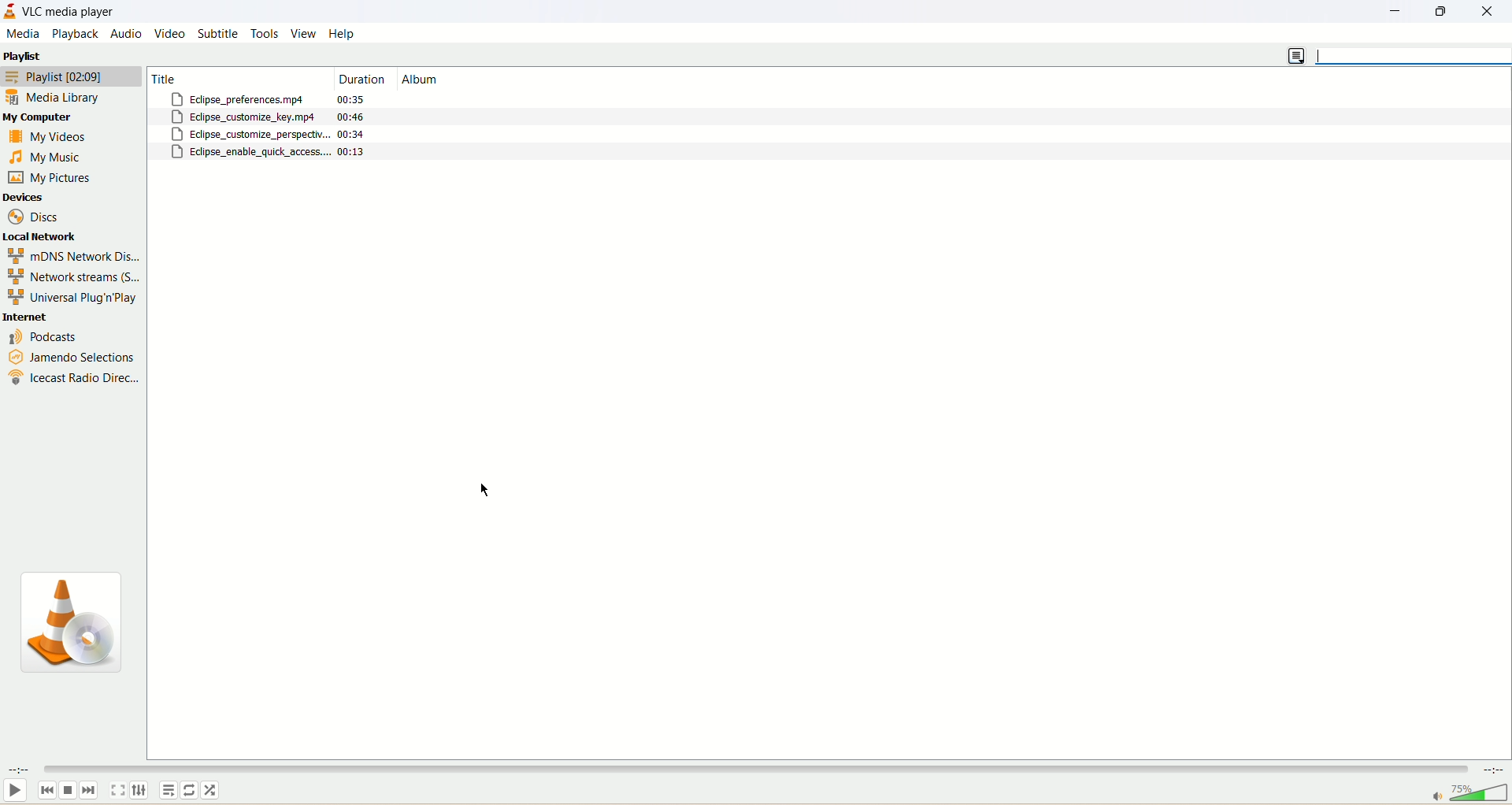  Describe the element at coordinates (51, 235) in the screenshot. I see `local network` at that location.